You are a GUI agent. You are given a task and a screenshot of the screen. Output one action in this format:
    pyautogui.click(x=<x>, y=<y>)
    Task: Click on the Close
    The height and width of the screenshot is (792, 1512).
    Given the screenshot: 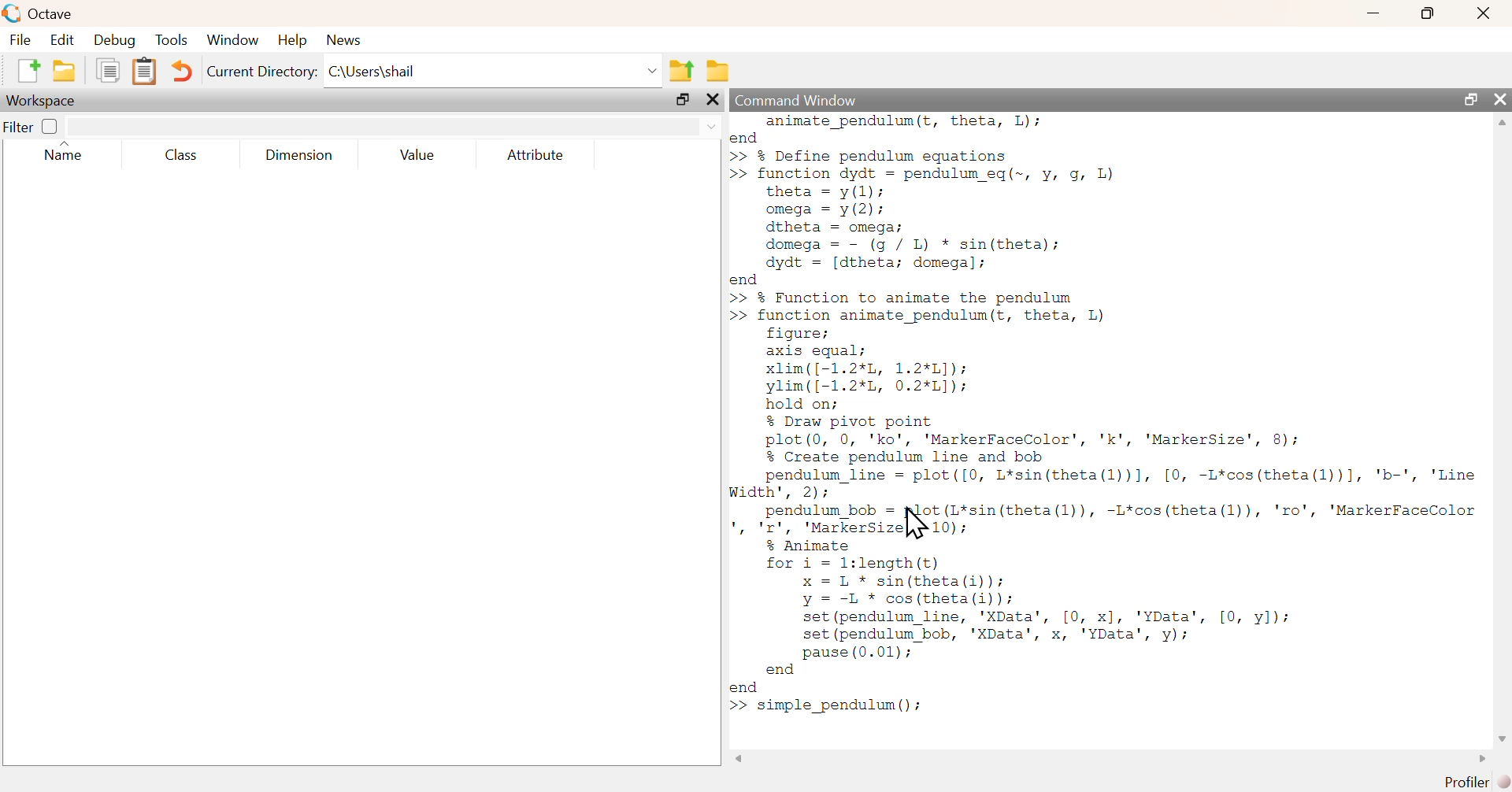 What is the action you would take?
    pyautogui.click(x=1482, y=13)
    